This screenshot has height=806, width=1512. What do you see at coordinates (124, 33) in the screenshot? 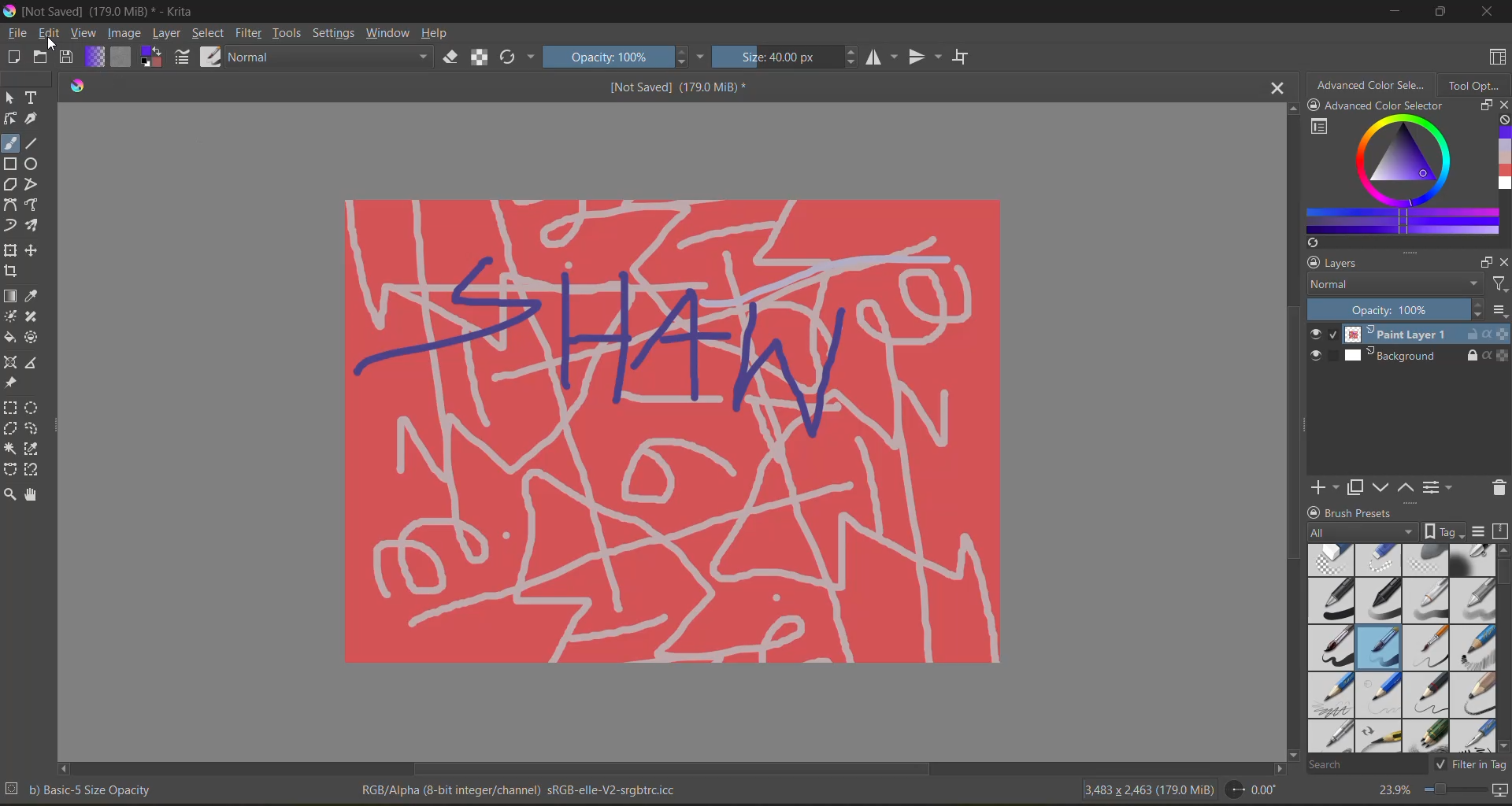
I see `image` at bounding box center [124, 33].